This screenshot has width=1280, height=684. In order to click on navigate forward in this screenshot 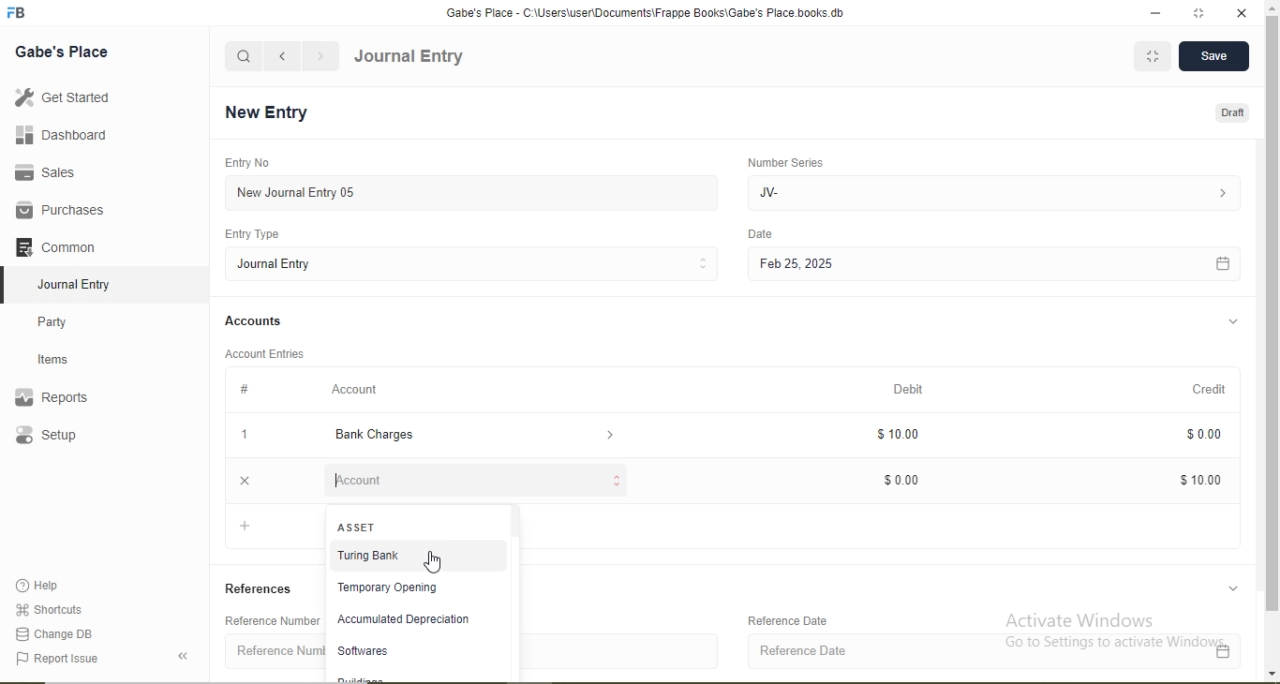, I will do `click(322, 56)`.